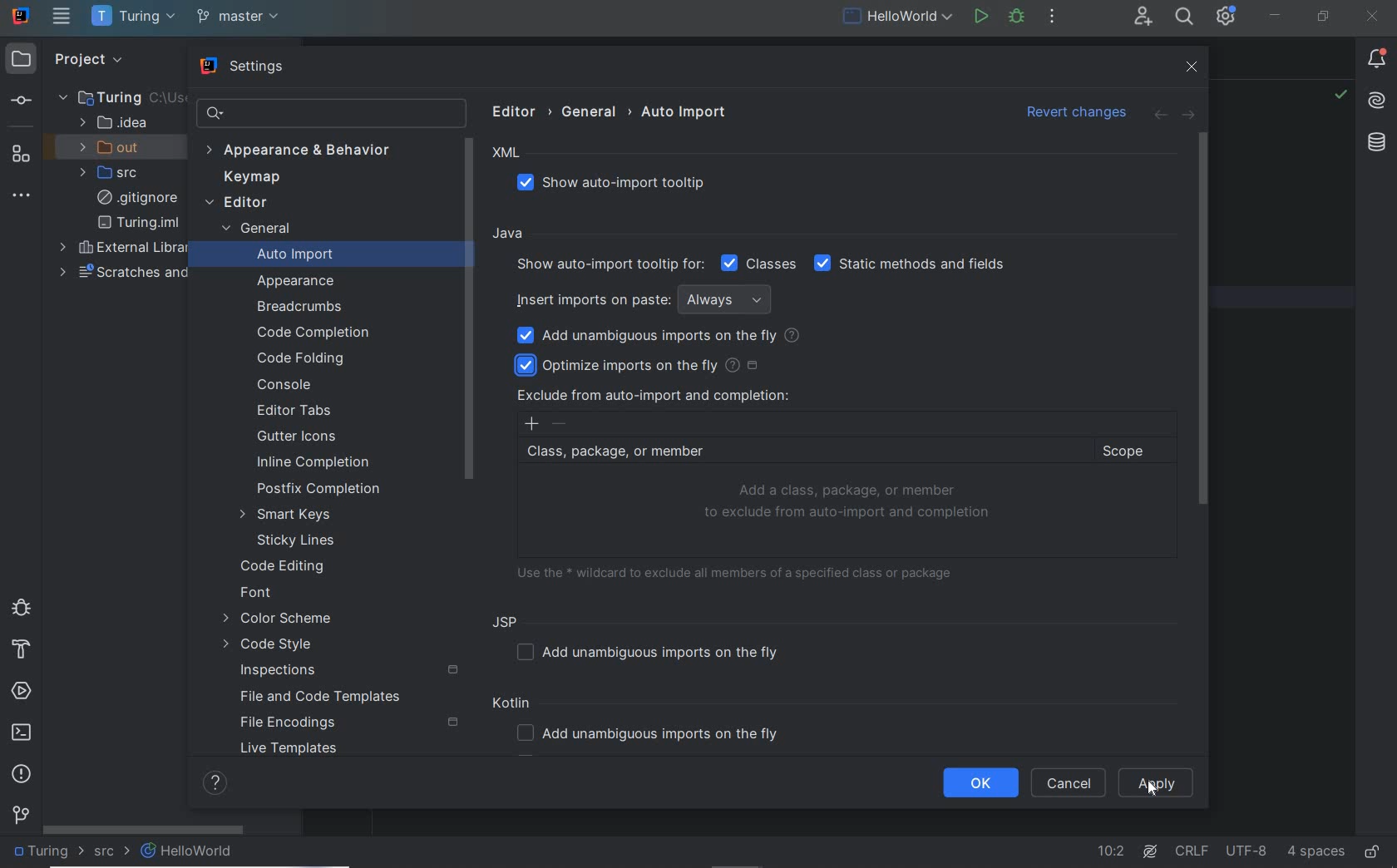 The height and width of the screenshot is (868, 1397). I want to click on XML, so click(507, 153).